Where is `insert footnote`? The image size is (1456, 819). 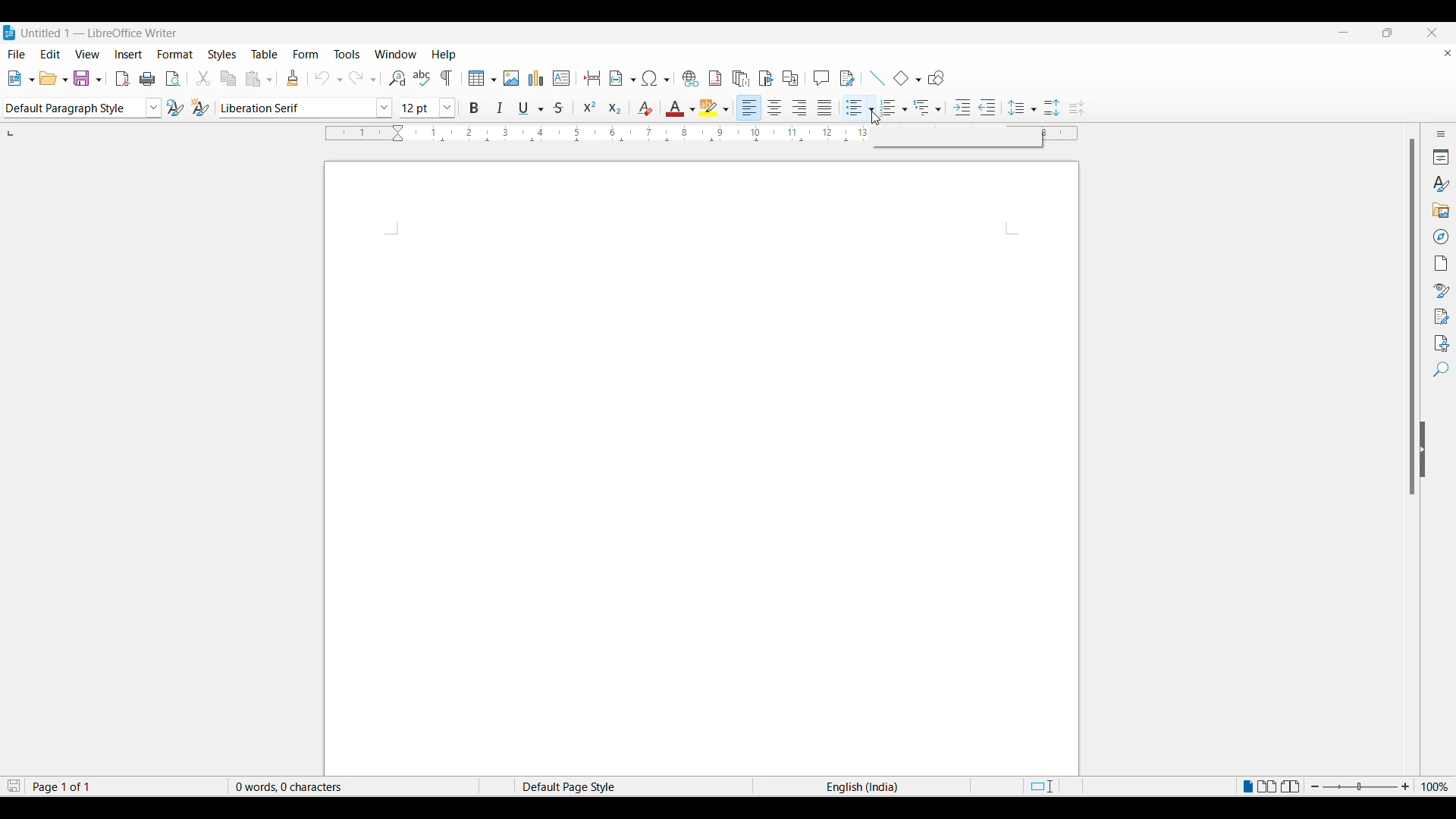
insert footnote is located at coordinates (717, 79).